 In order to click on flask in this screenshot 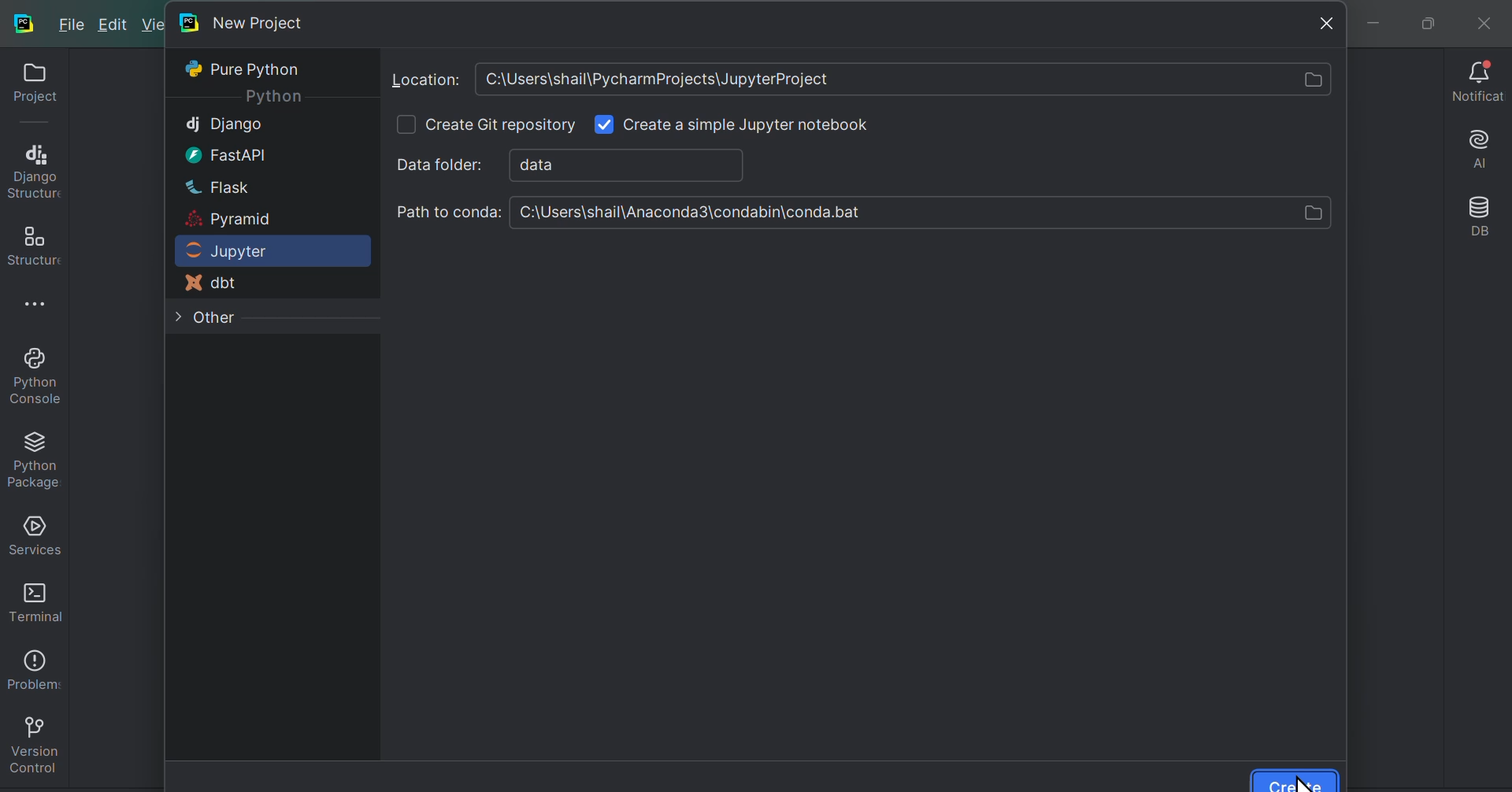, I will do `click(216, 186)`.